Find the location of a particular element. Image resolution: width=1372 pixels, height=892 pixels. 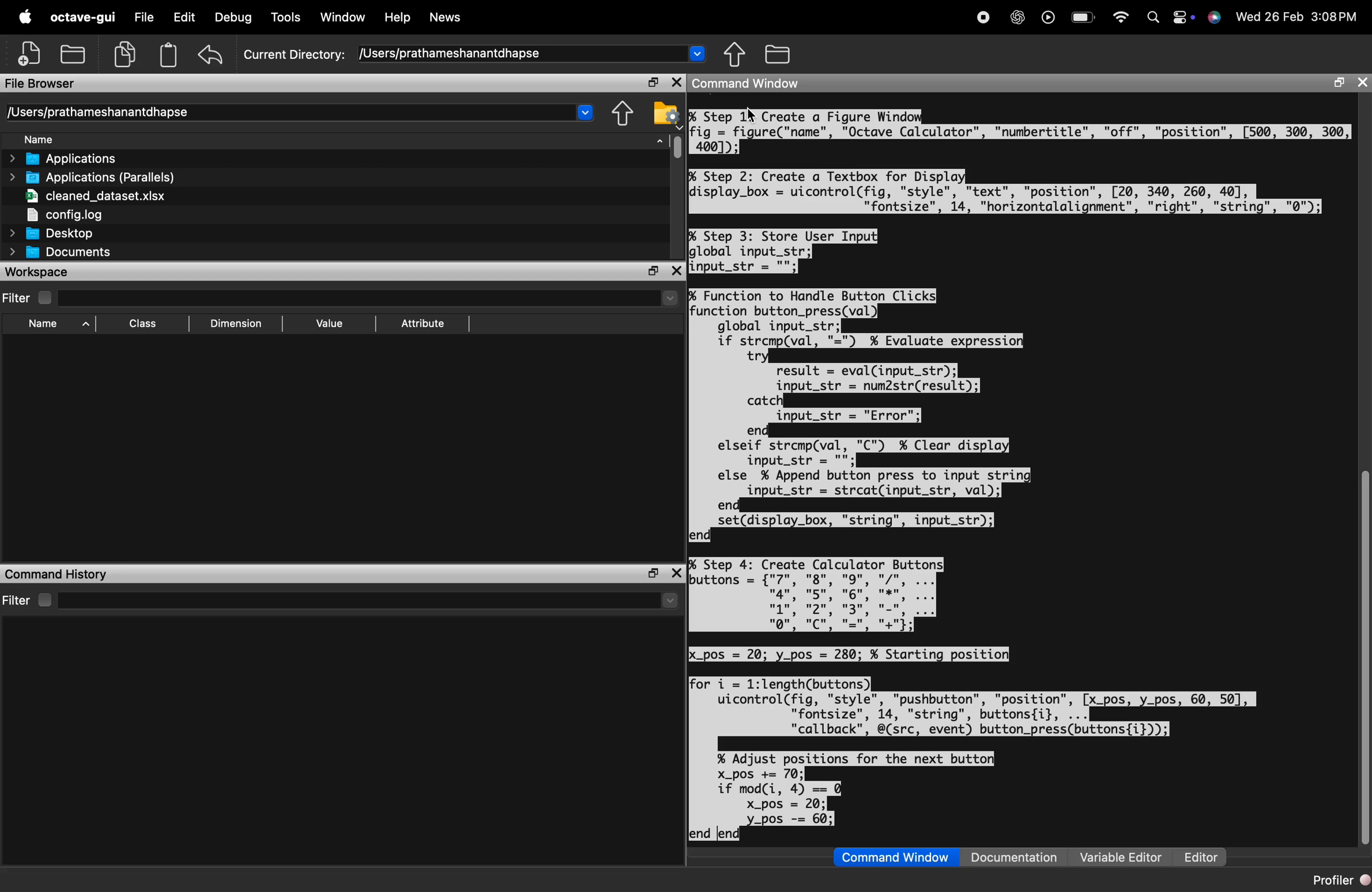

control center is located at coordinates (1183, 17).